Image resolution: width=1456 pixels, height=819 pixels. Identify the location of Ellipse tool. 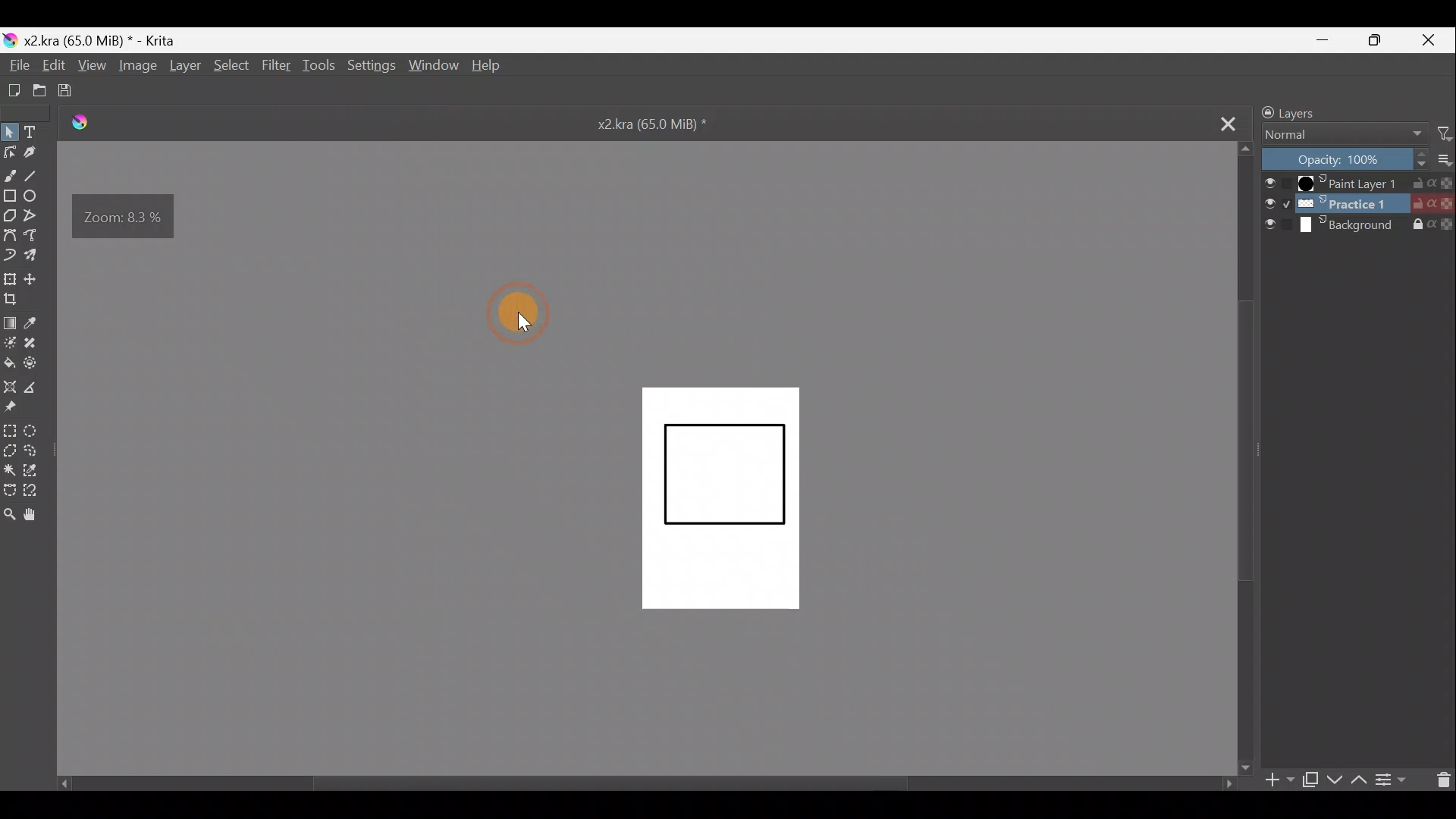
(35, 196).